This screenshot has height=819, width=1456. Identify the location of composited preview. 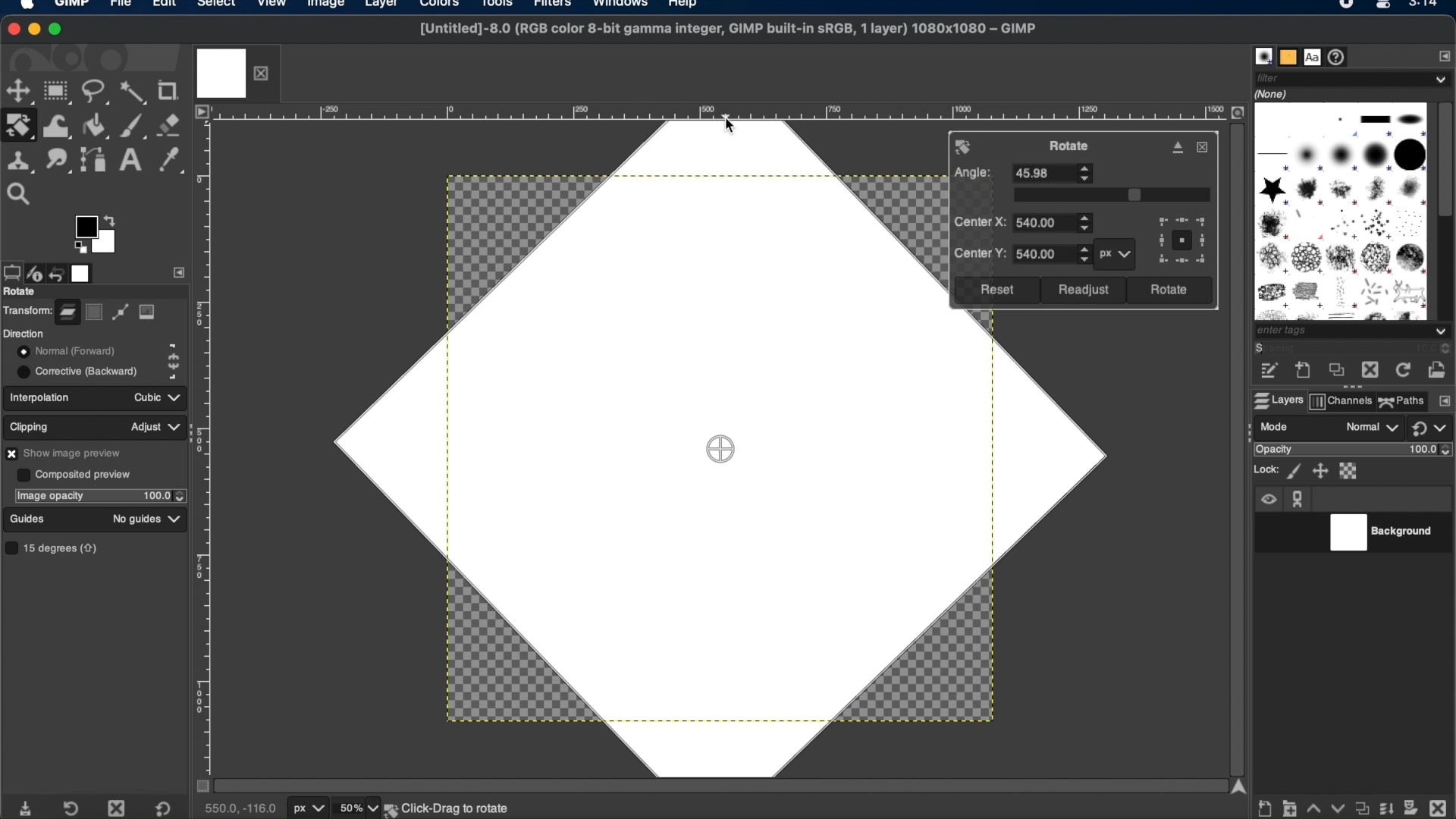
(74, 474).